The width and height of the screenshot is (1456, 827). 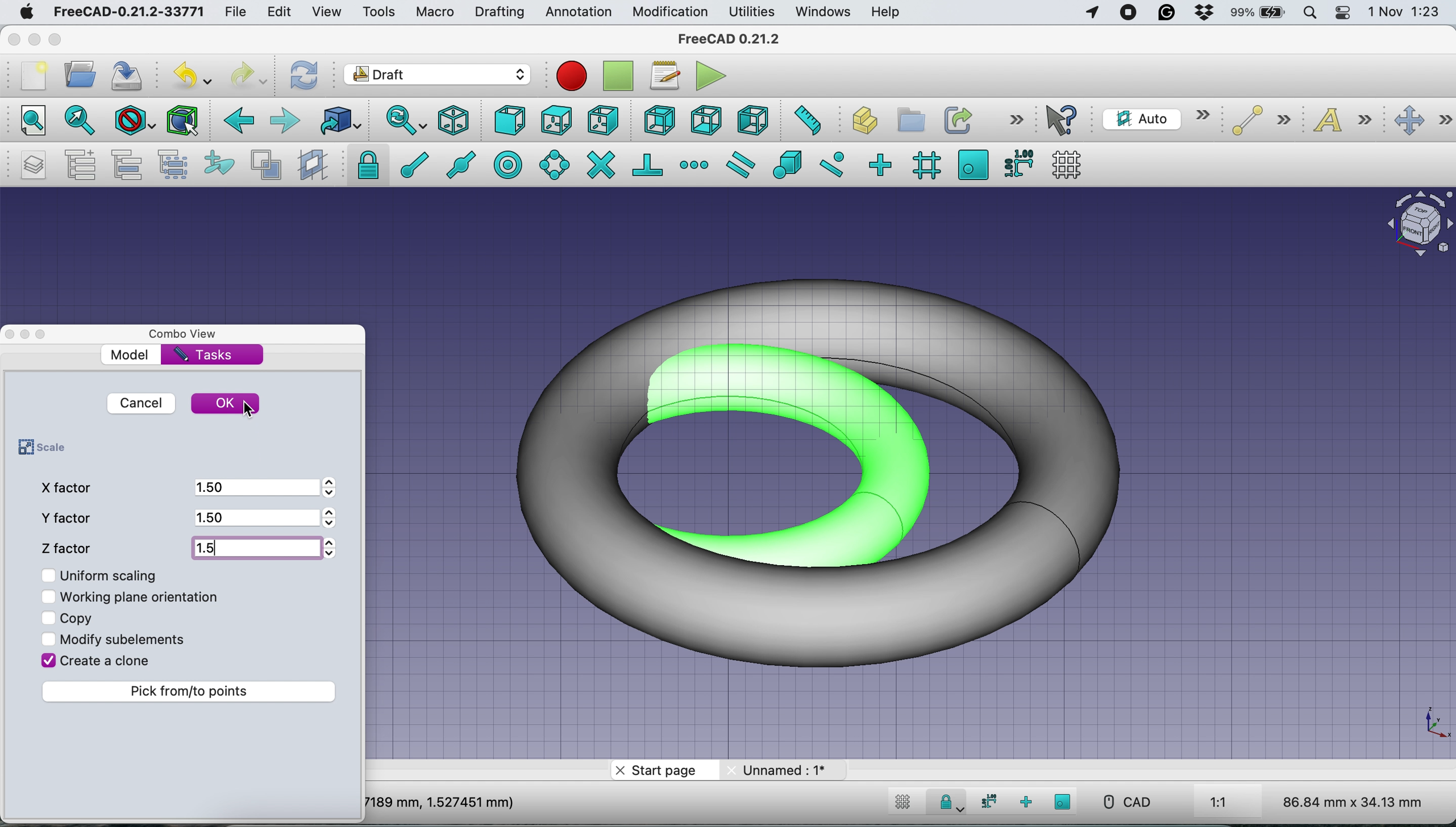 I want to click on ok, so click(x=227, y=404).